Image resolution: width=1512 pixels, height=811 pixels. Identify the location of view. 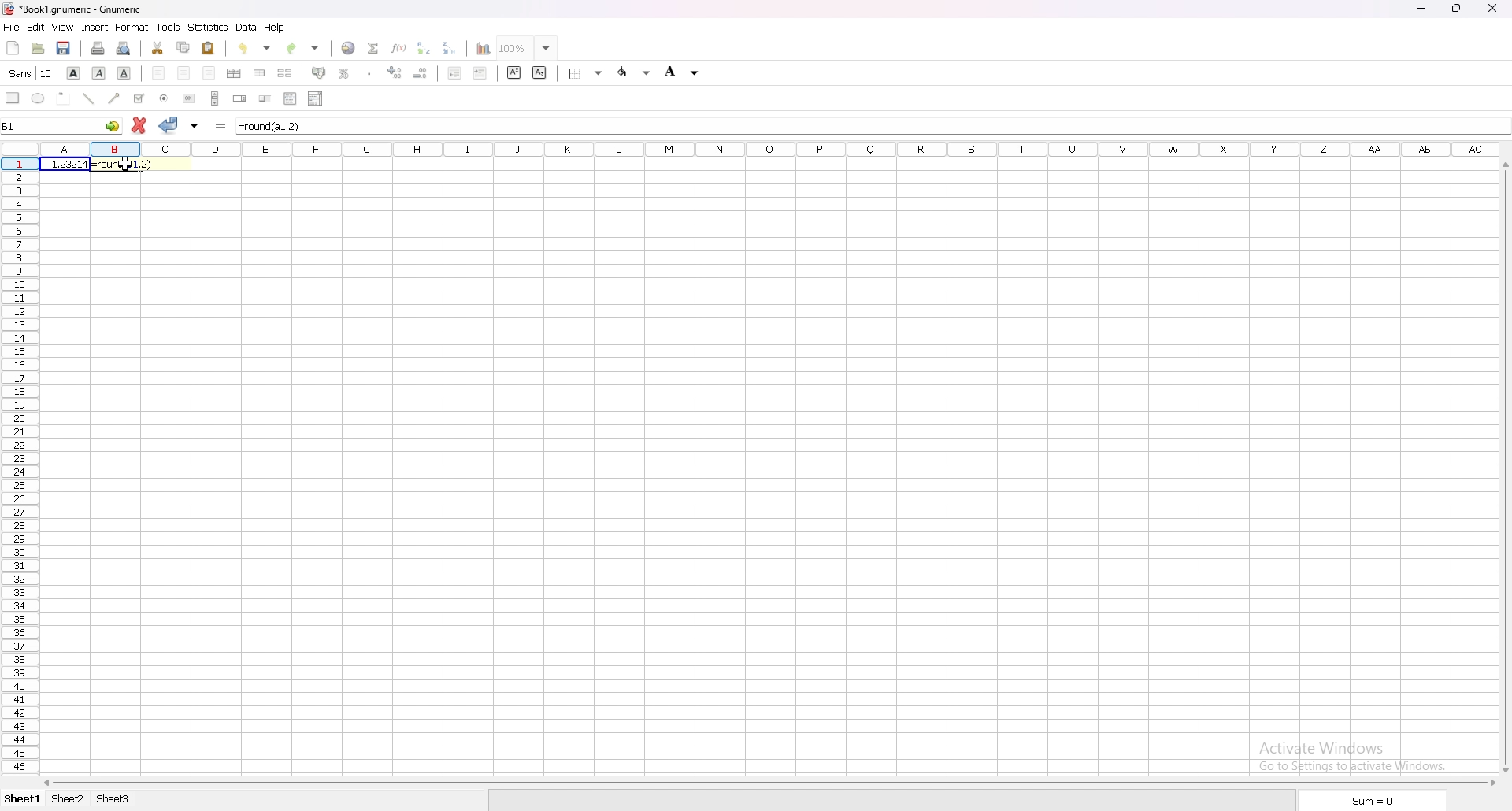
(62, 28).